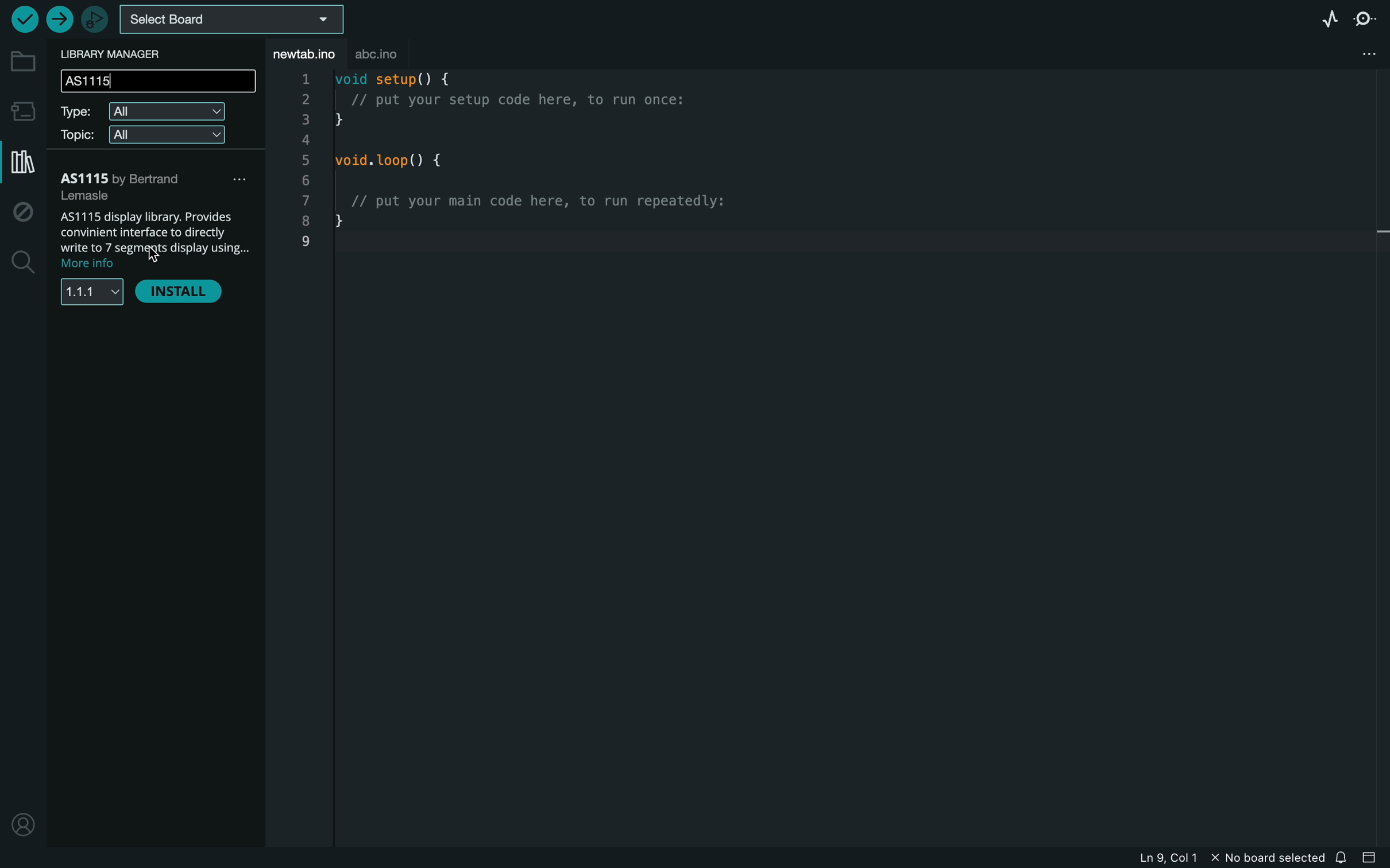  I want to click on folder, so click(23, 61).